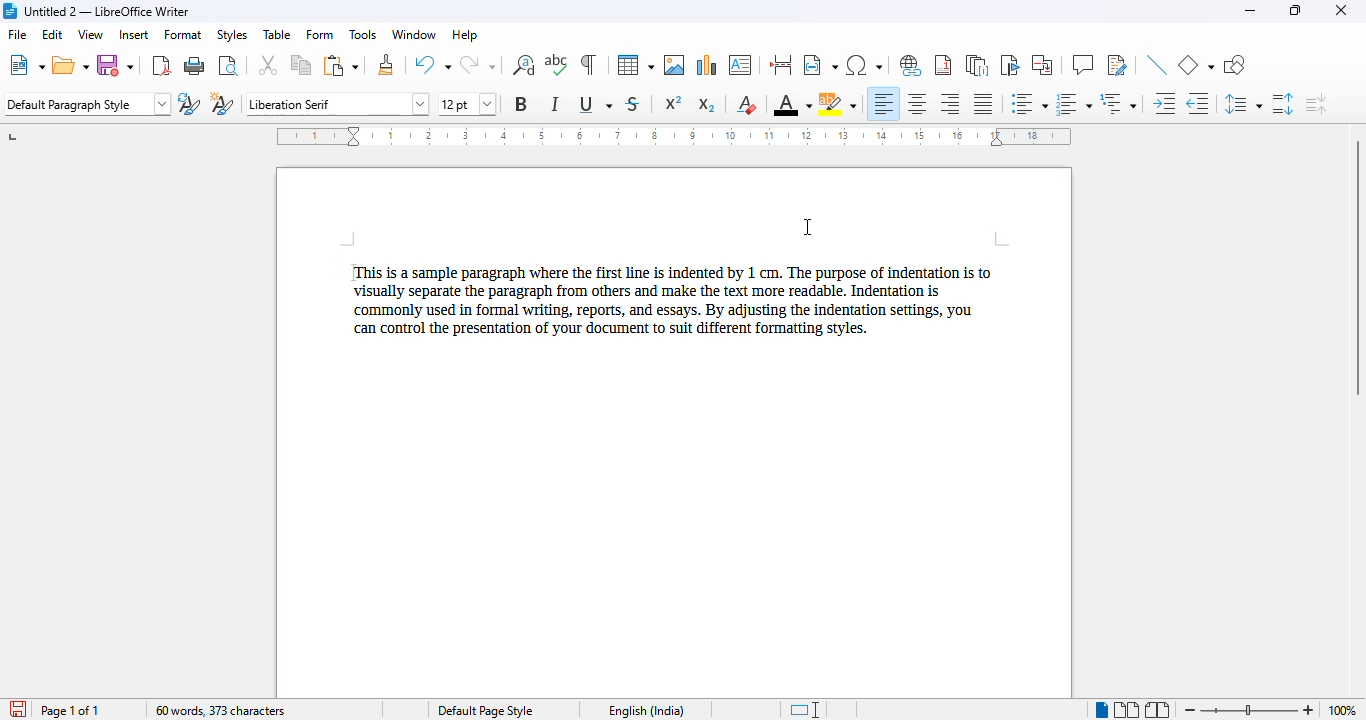  Describe the element at coordinates (589, 65) in the screenshot. I see `toggle formatting marks` at that location.